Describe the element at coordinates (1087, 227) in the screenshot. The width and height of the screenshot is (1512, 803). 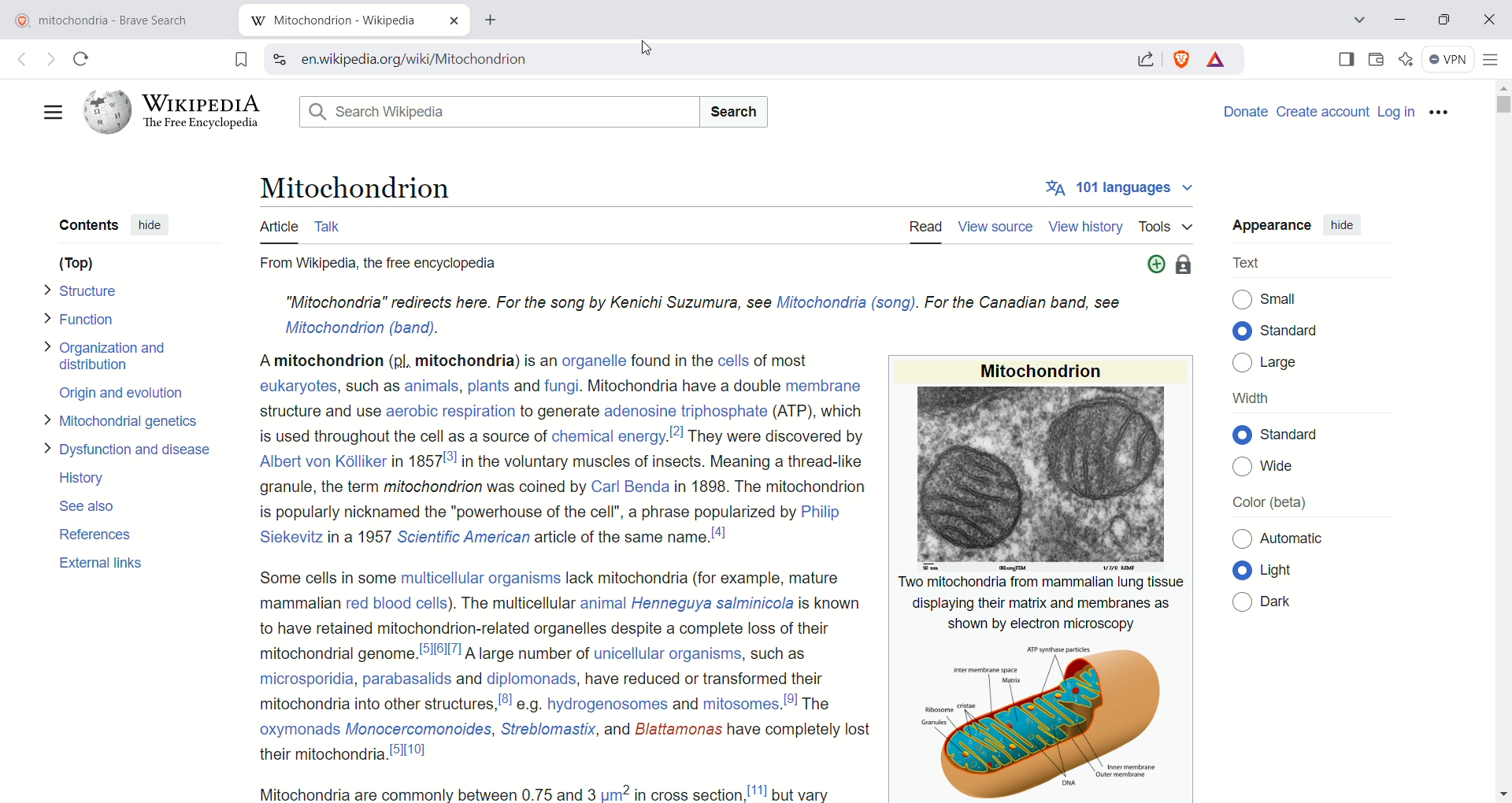
I see `View history` at that location.